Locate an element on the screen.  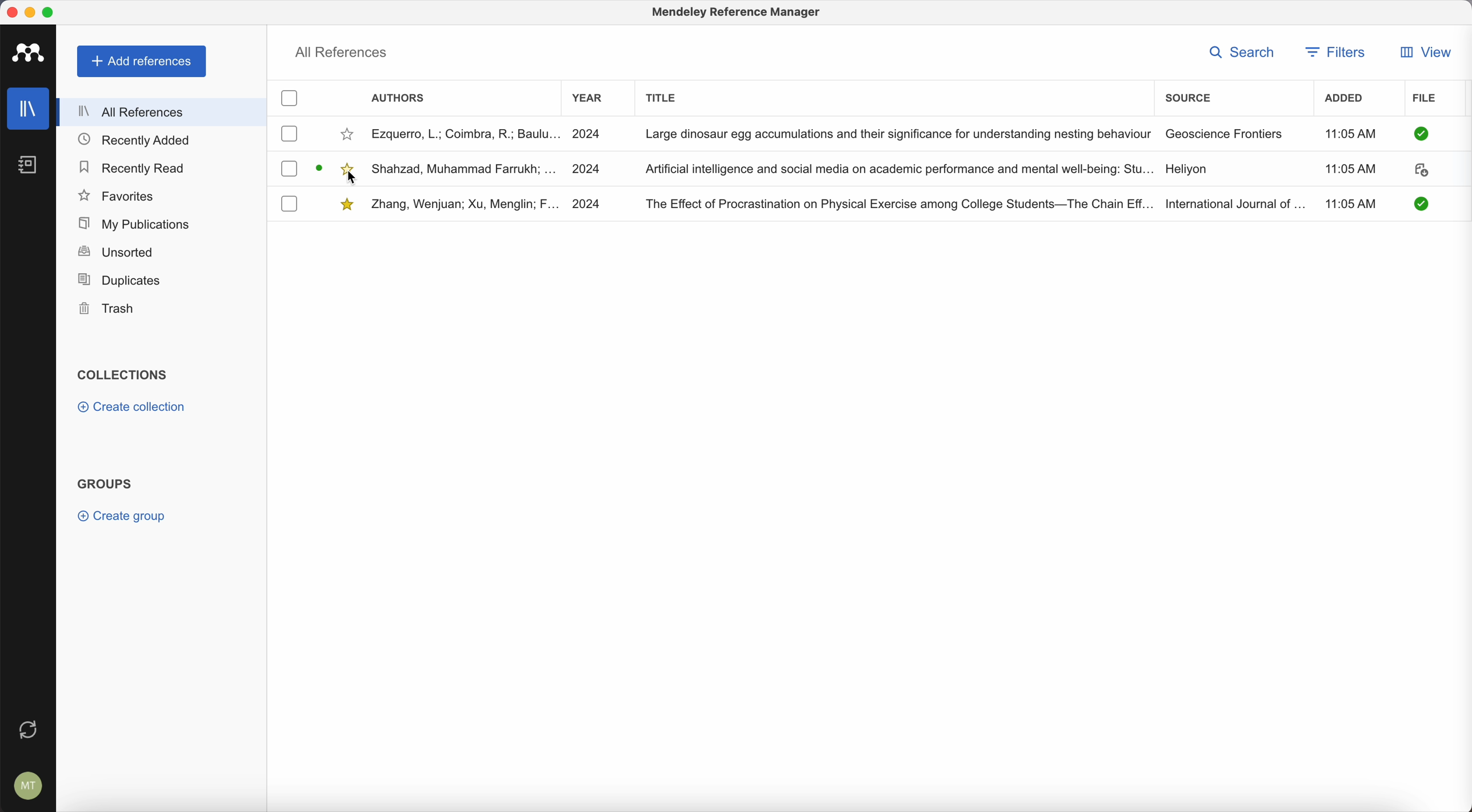
favorite is located at coordinates (349, 134).